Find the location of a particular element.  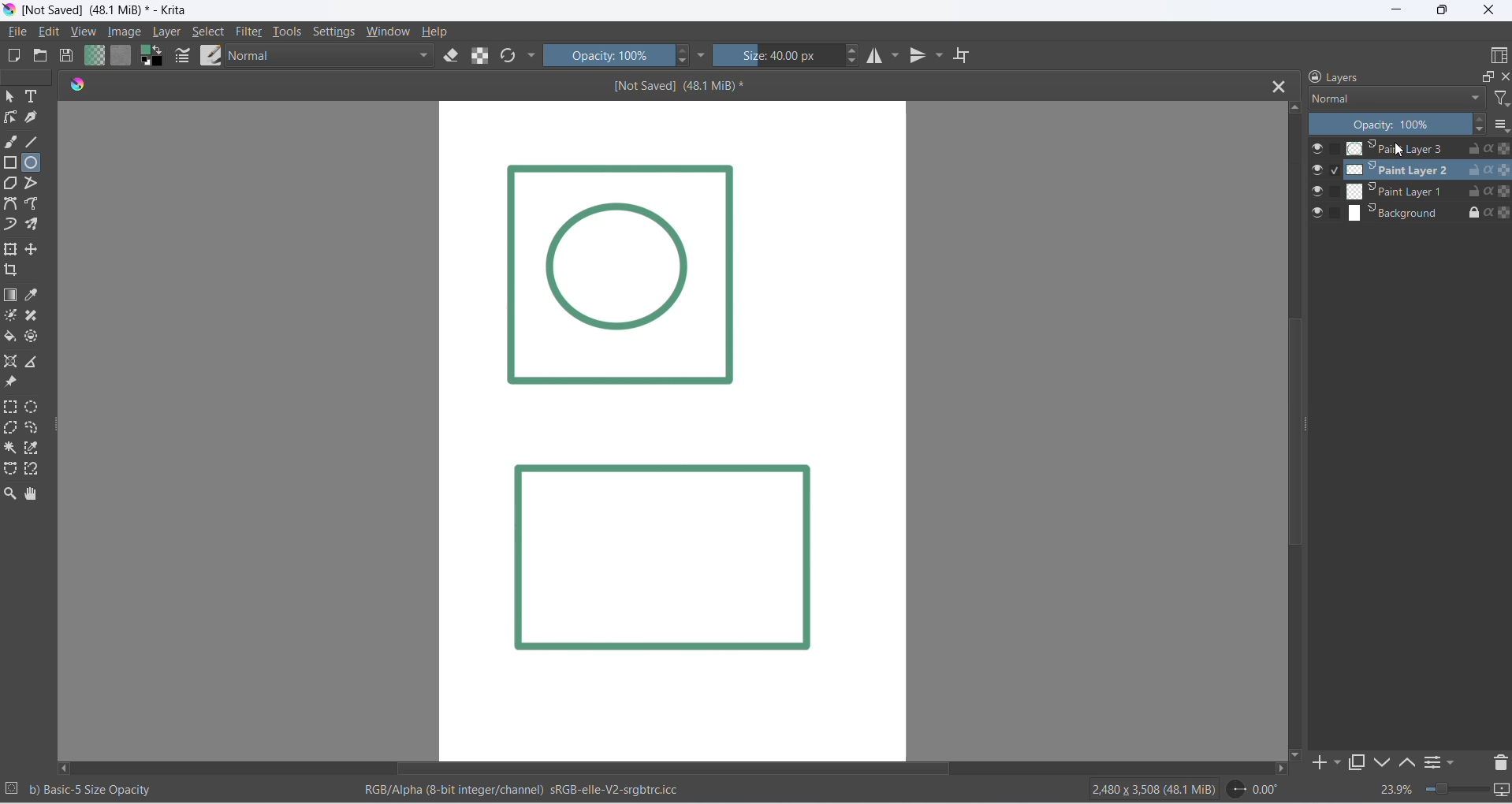

color selection tool is located at coordinates (32, 448).